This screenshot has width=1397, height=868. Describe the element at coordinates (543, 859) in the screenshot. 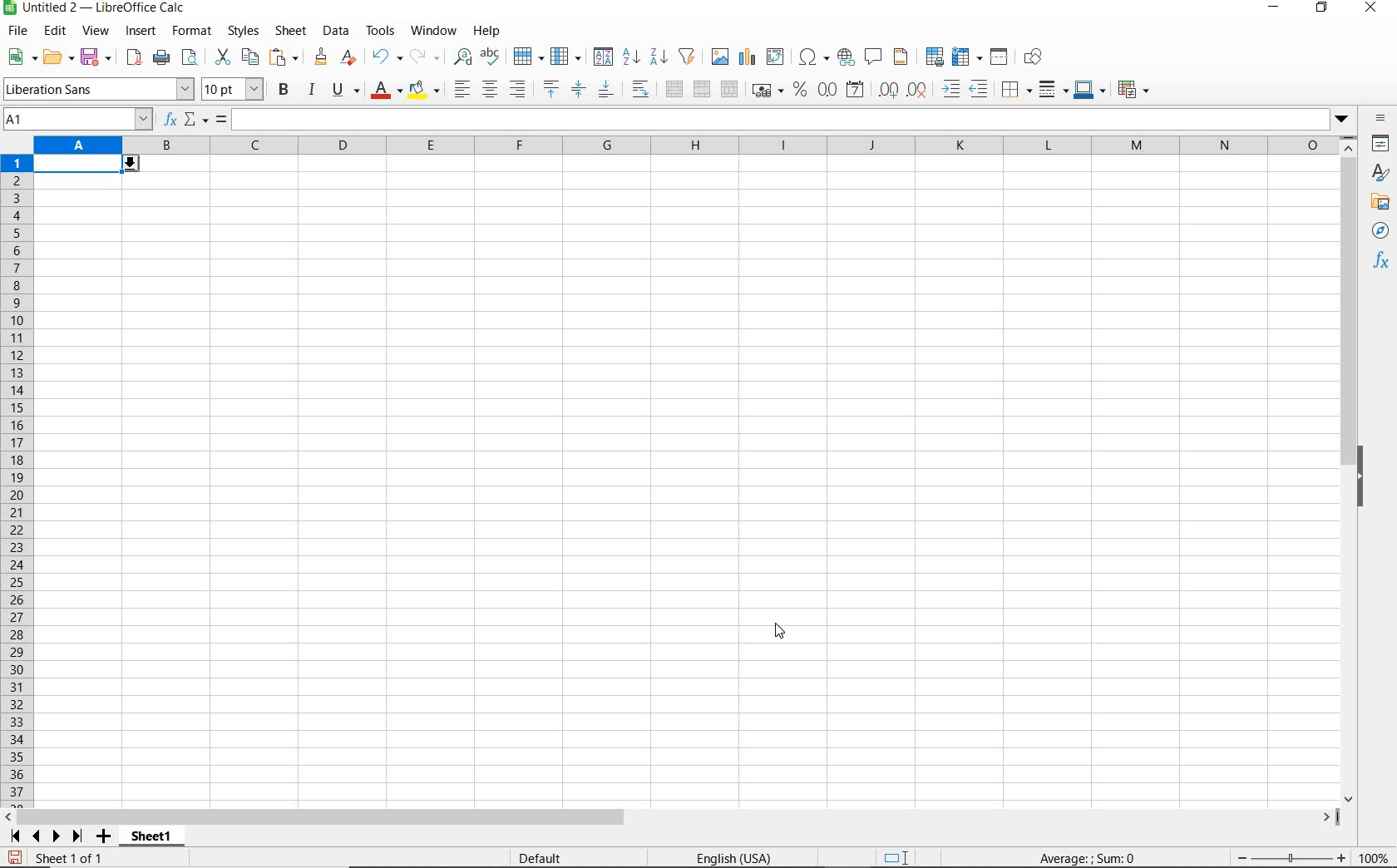

I see `default` at that location.